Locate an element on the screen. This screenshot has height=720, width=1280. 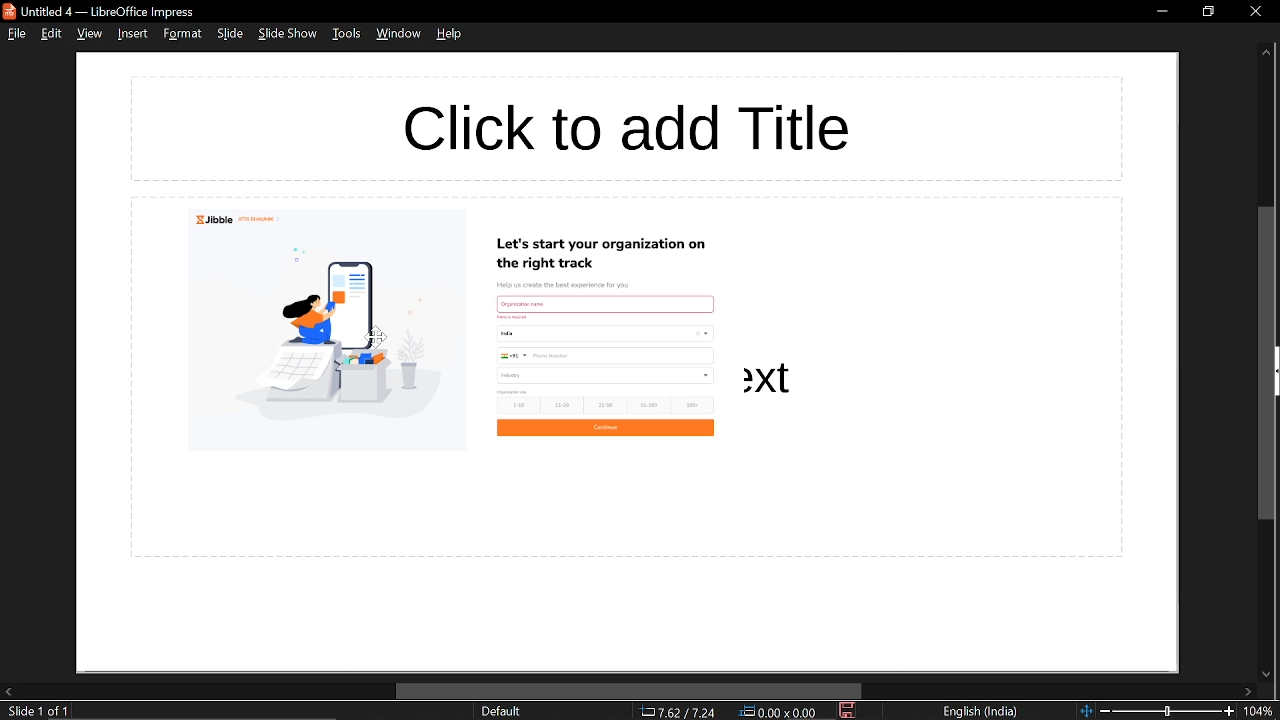
co-ordinate is located at coordinates (678, 711).